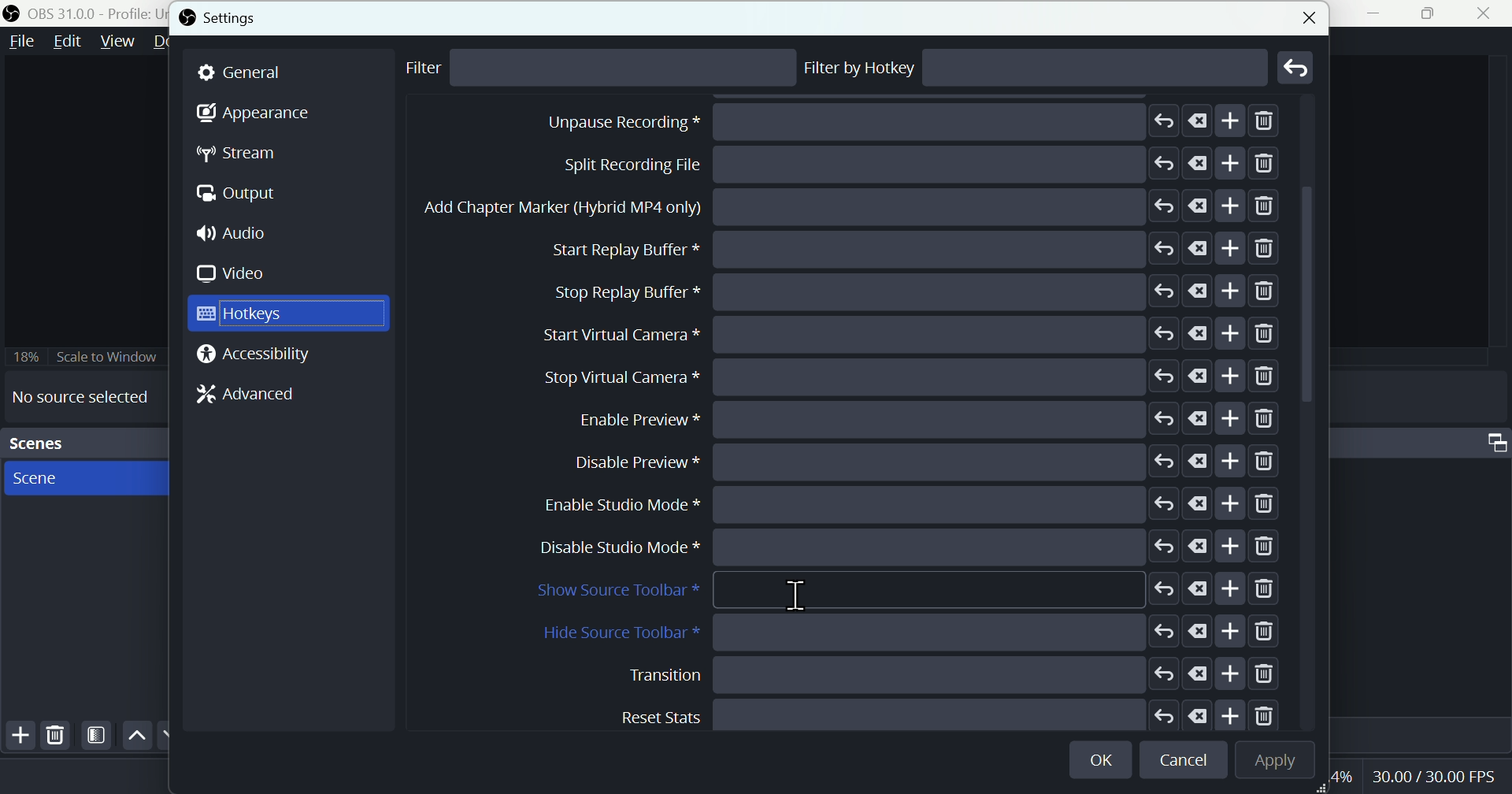 The height and width of the screenshot is (794, 1512). Describe the element at coordinates (915, 377) in the screenshot. I see `Add chapter marker` at that location.